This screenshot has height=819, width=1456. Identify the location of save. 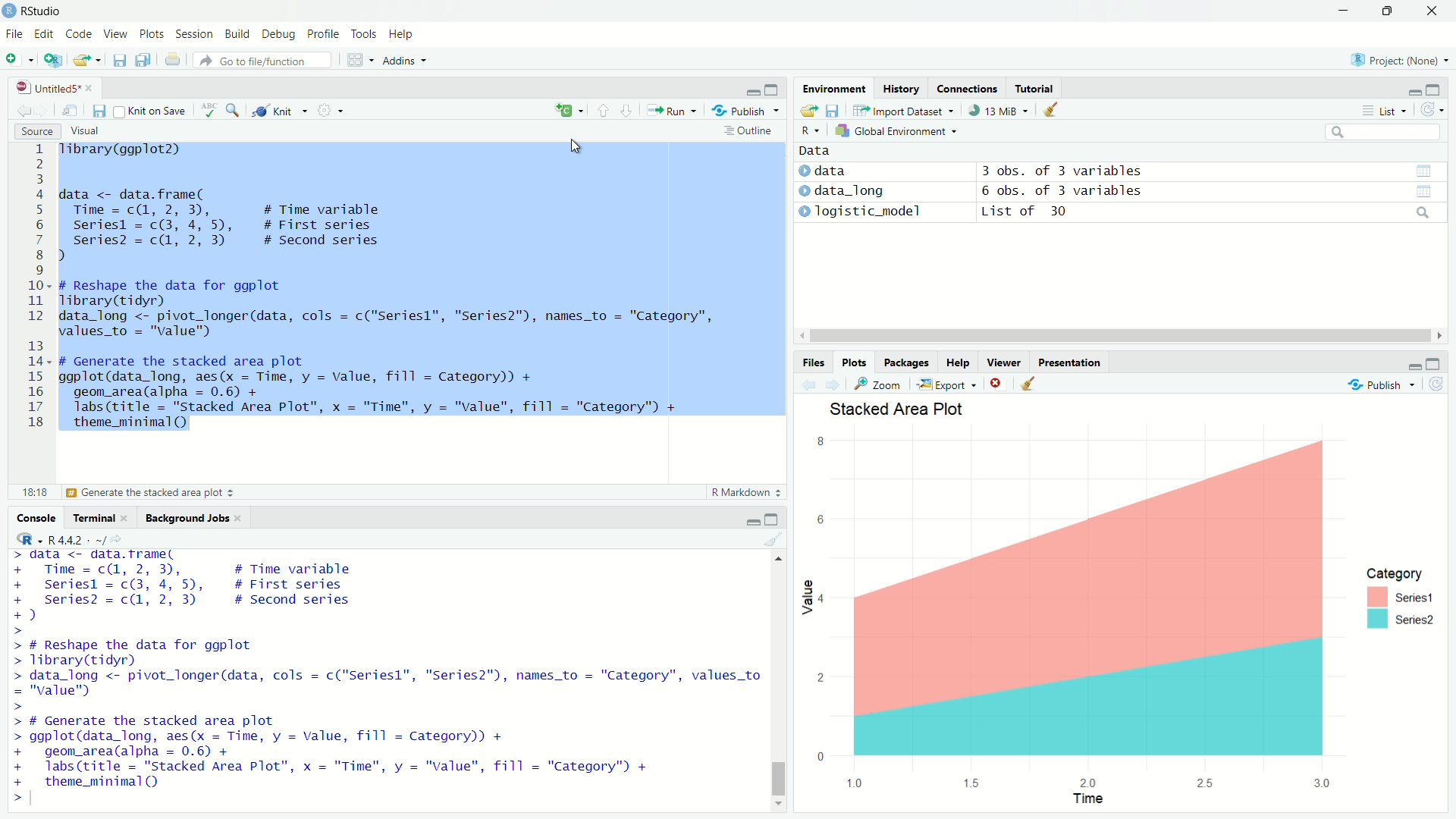
(97, 111).